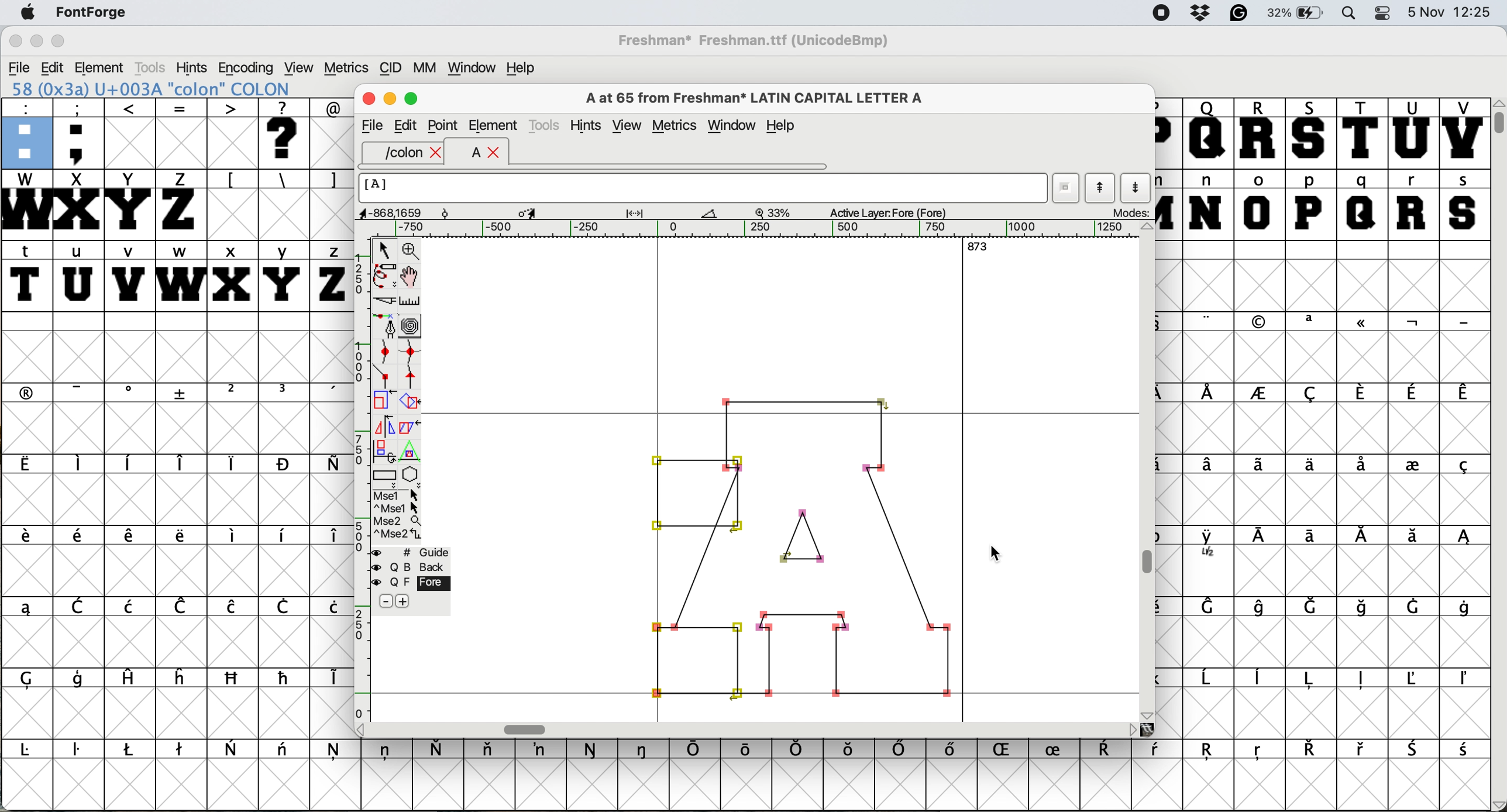 The image size is (1507, 812). Describe the element at coordinates (1464, 204) in the screenshot. I see `s` at that location.